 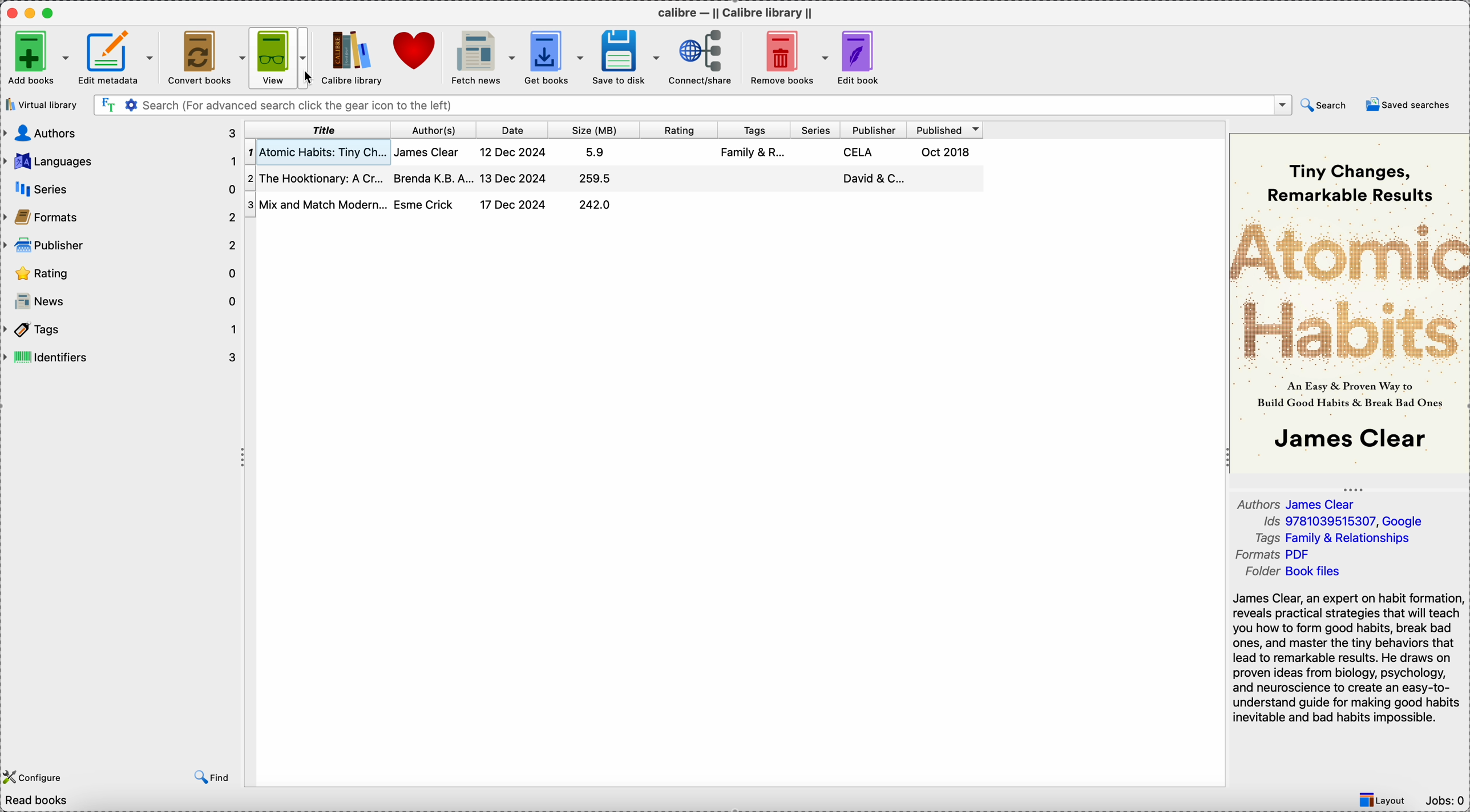 What do you see at coordinates (1282, 556) in the screenshot?
I see `Formats PDF` at bounding box center [1282, 556].